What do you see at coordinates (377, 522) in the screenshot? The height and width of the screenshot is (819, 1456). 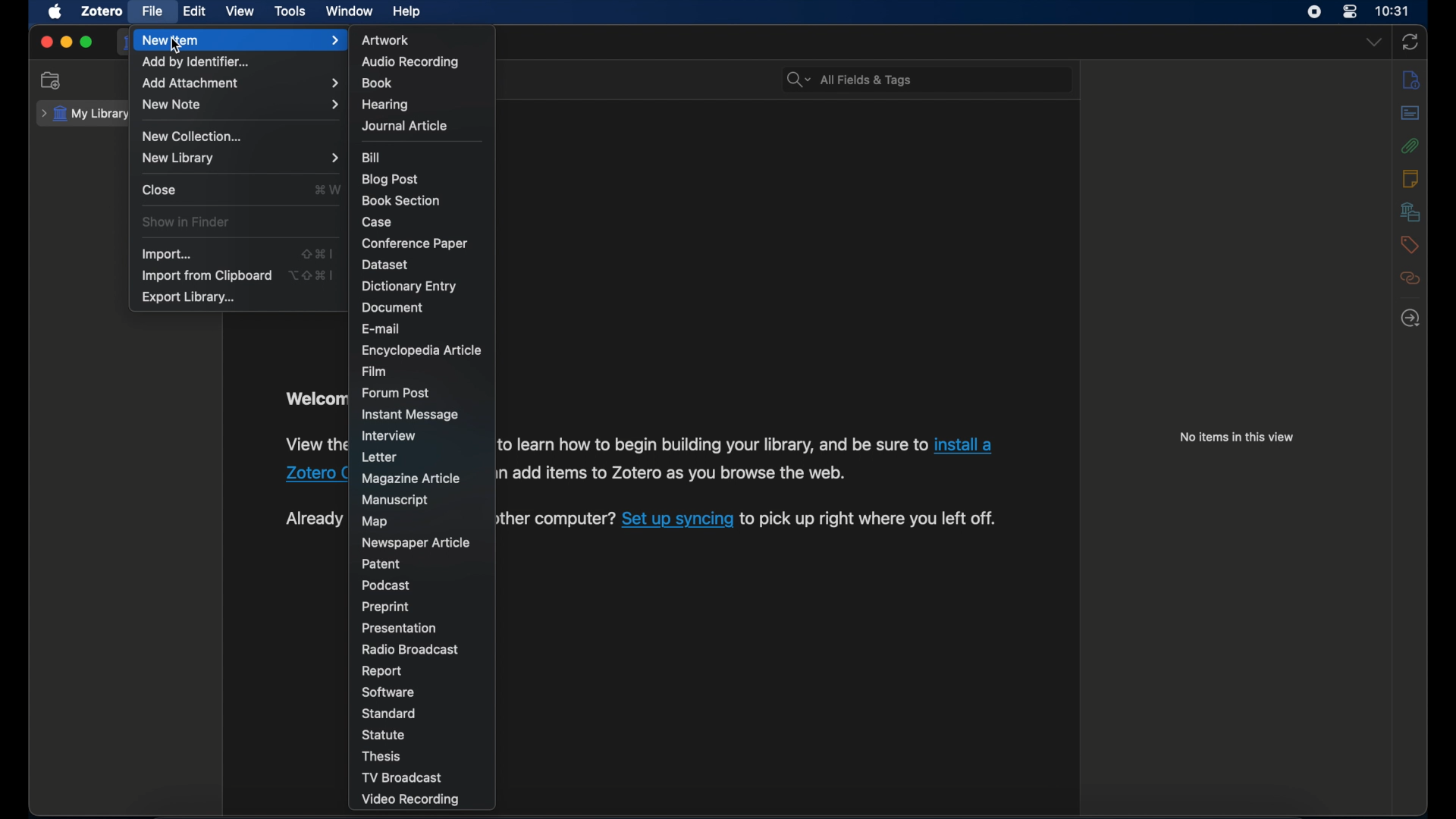 I see `map` at bounding box center [377, 522].